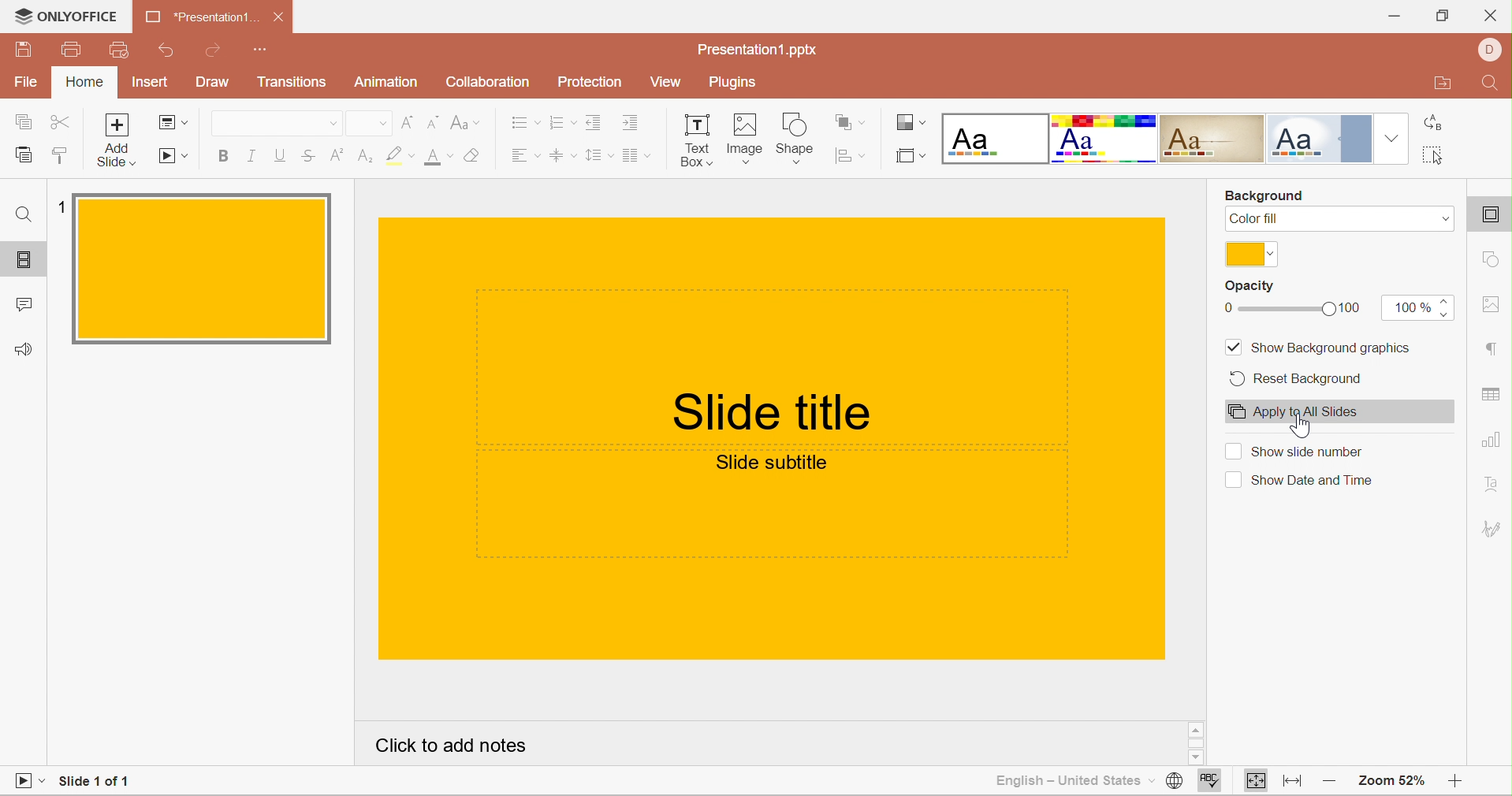 This screenshot has width=1512, height=796. What do you see at coordinates (210, 267) in the screenshot?
I see `Slide 1` at bounding box center [210, 267].